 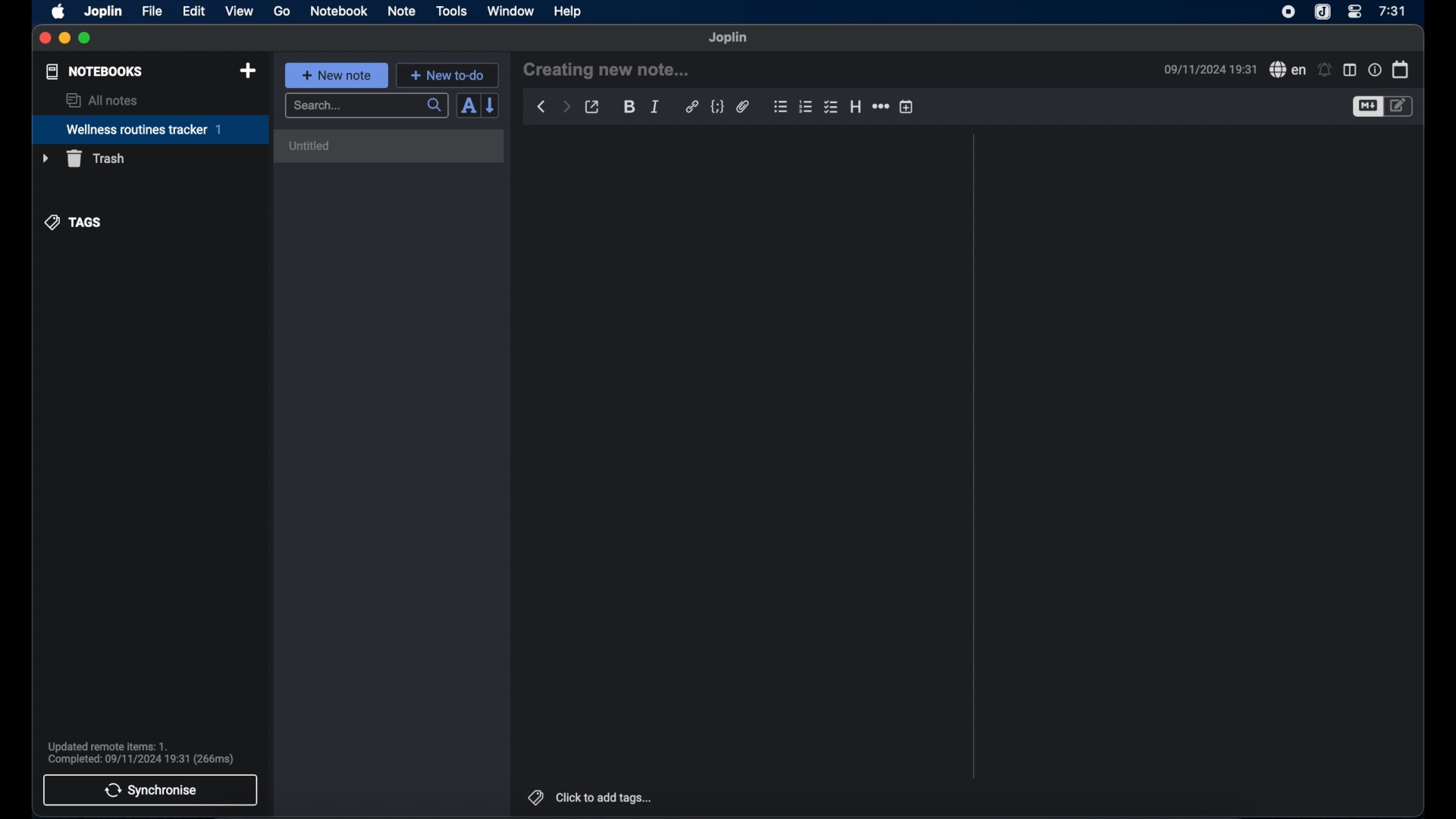 I want to click on window, so click(x=511, y=11).